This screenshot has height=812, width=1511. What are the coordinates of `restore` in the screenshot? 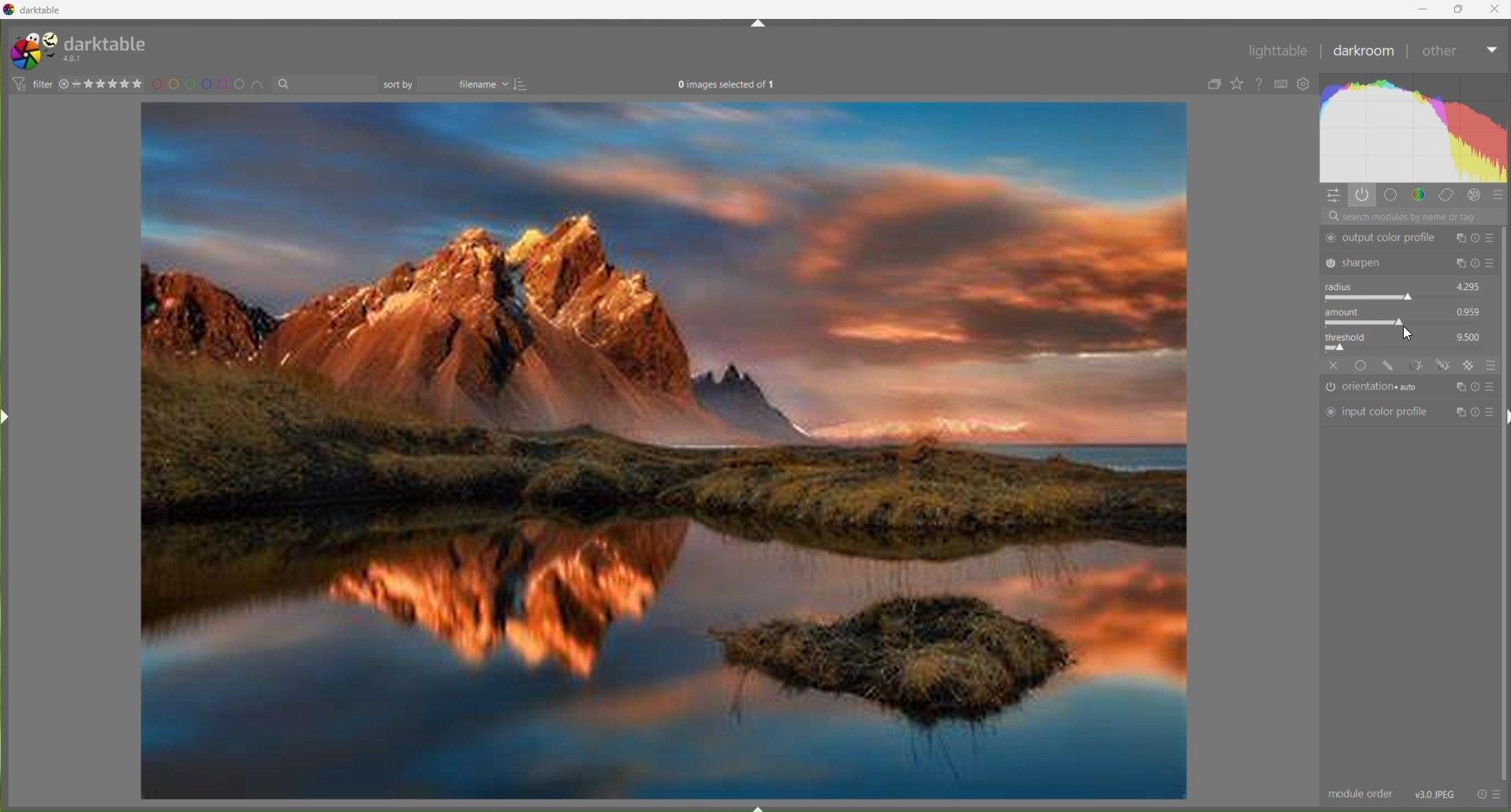 It's located at (1461, 8).